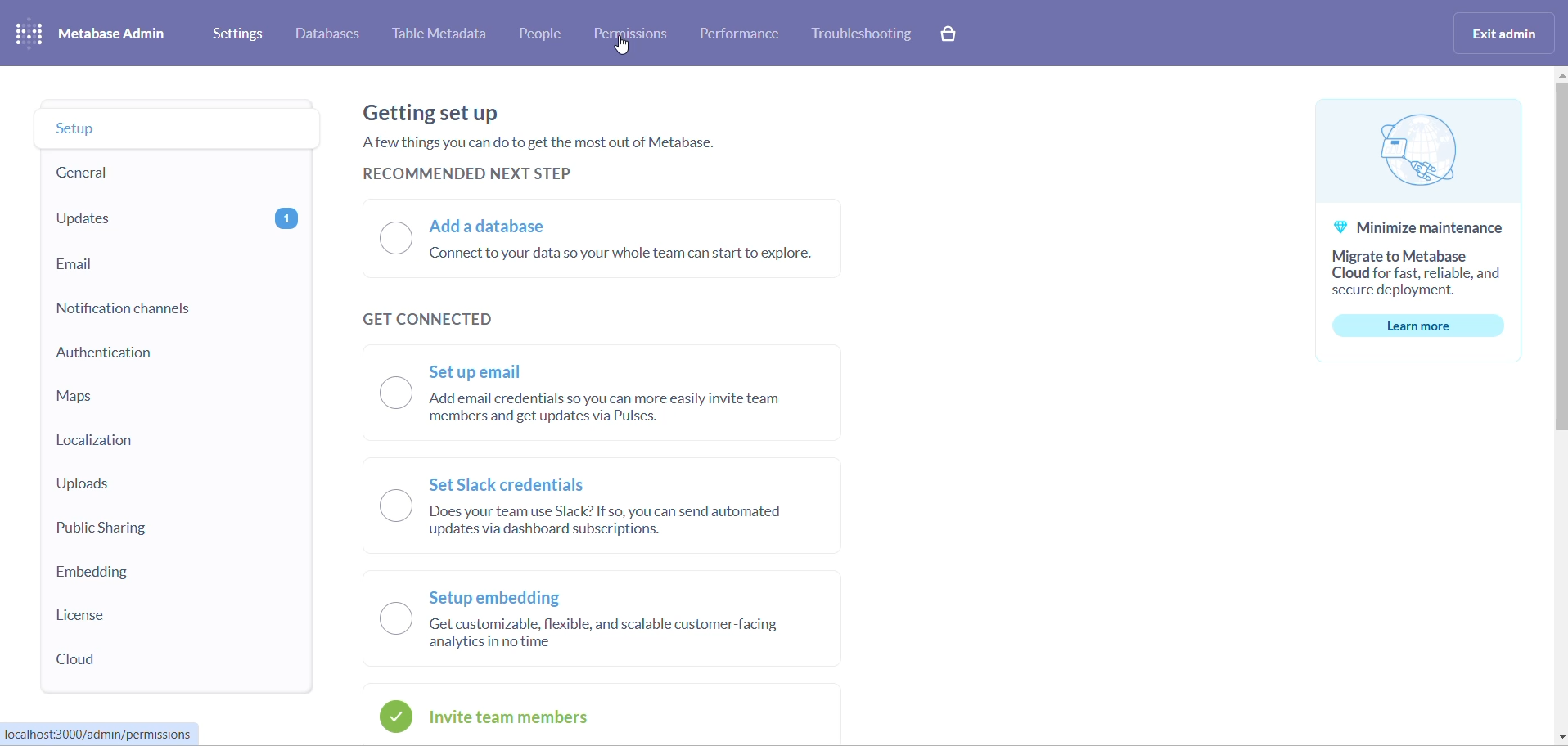  Describe the element at coordinates (394, 393) in the screenshot. I see `checkbox` at that location.